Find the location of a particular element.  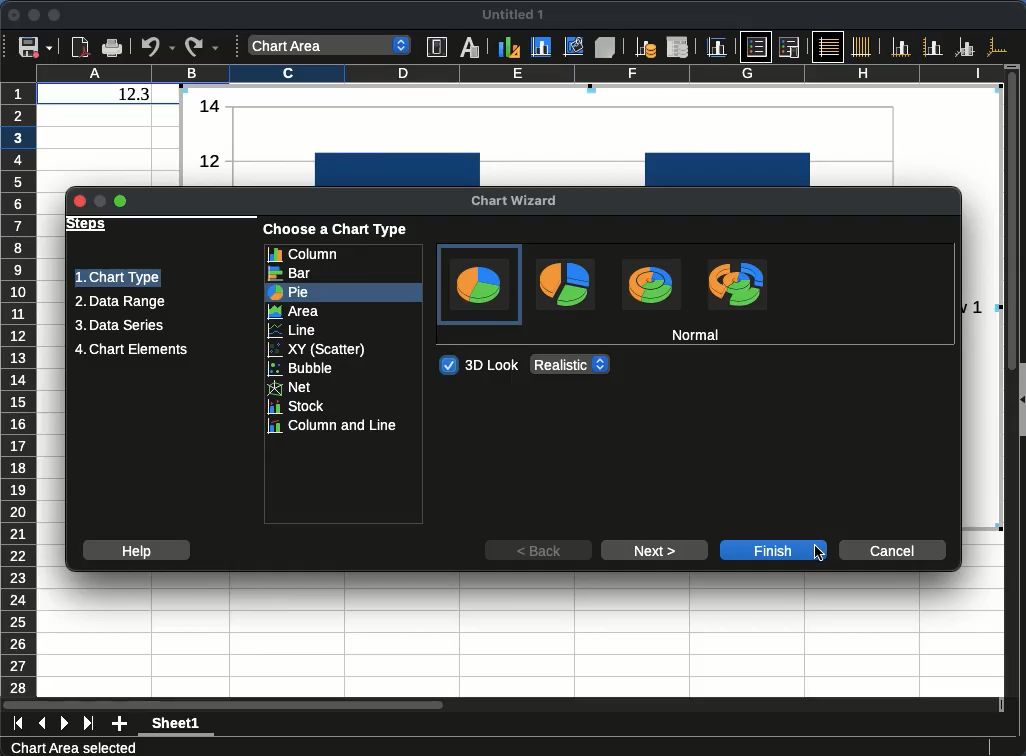

Normal, current selection is located at coordinates (480, 285).